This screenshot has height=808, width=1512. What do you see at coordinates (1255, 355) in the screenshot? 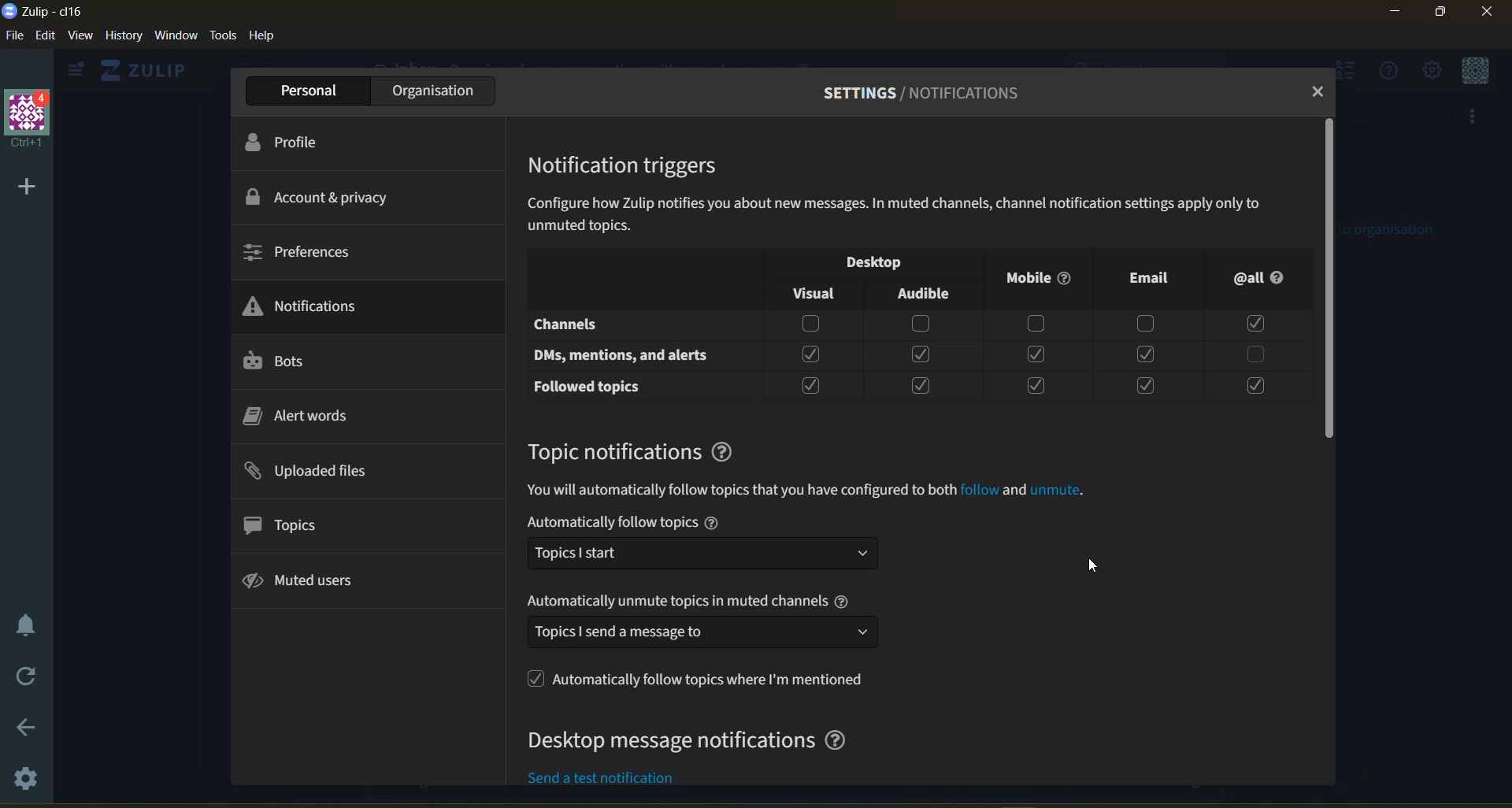
I see `Checkbox` at bounding box center [1255, 355].